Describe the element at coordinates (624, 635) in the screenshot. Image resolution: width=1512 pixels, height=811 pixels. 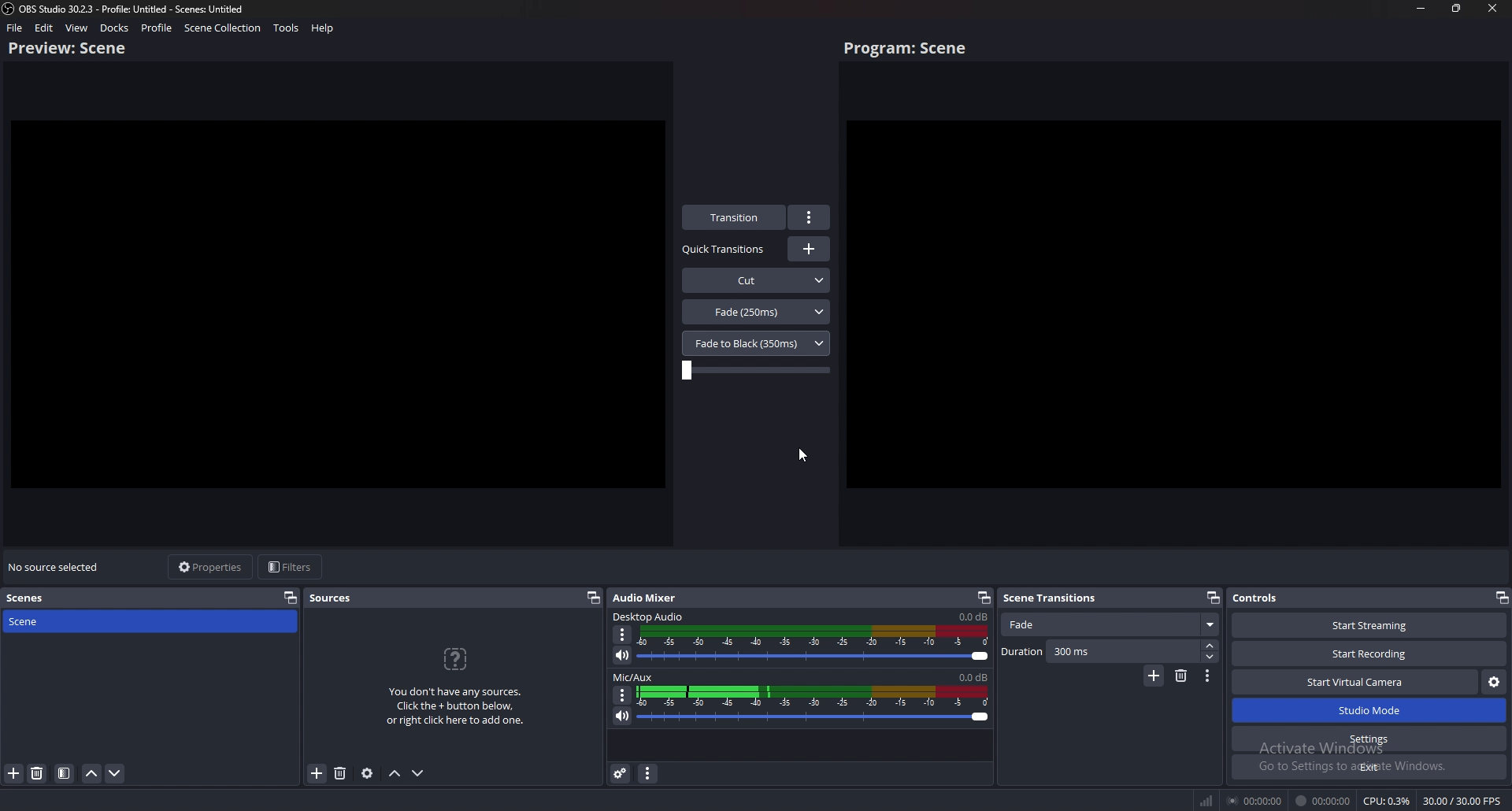
I see `Options` at that location.